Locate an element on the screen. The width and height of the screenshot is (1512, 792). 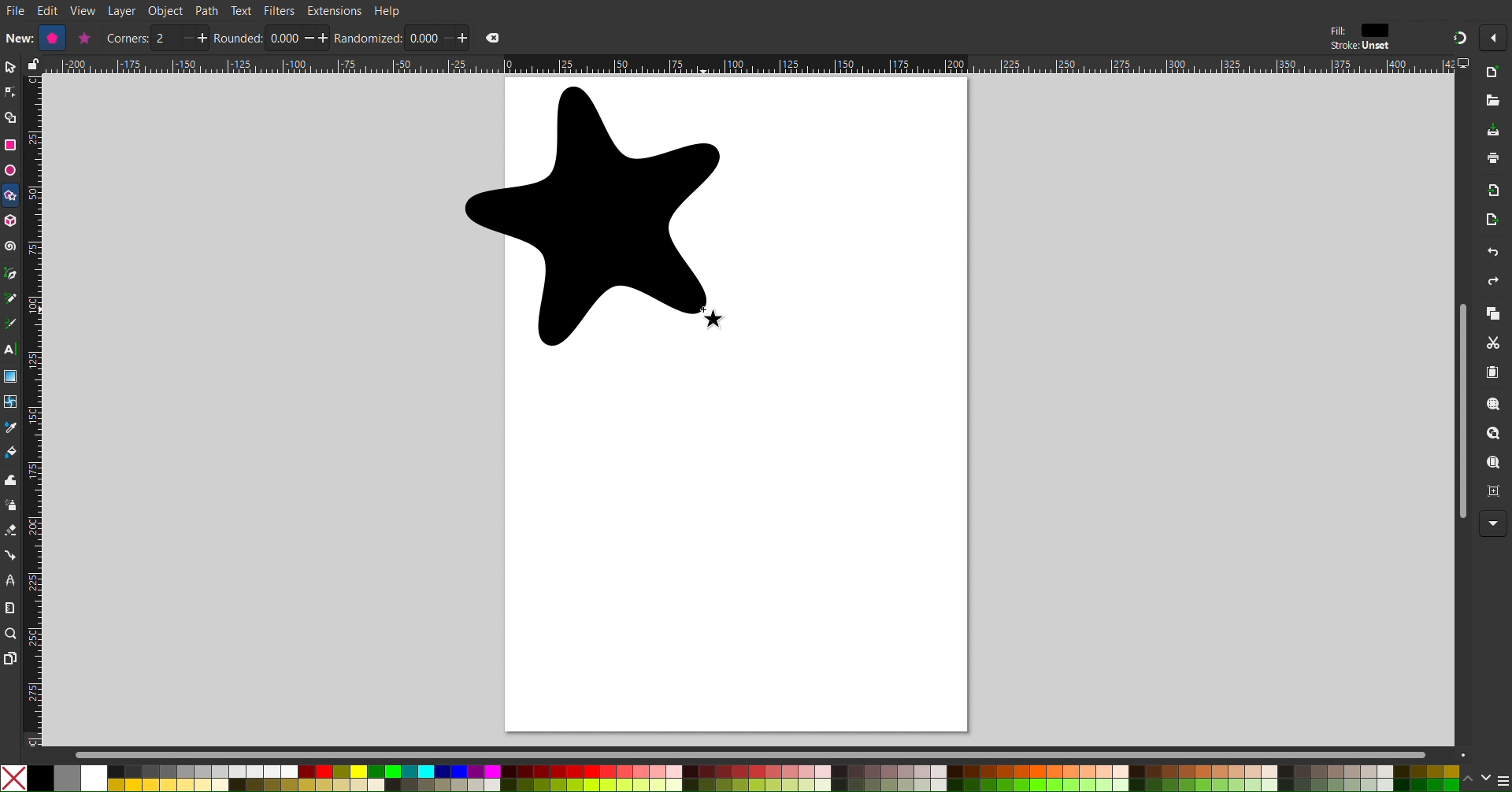
star options is located at coordinates (50, 38).